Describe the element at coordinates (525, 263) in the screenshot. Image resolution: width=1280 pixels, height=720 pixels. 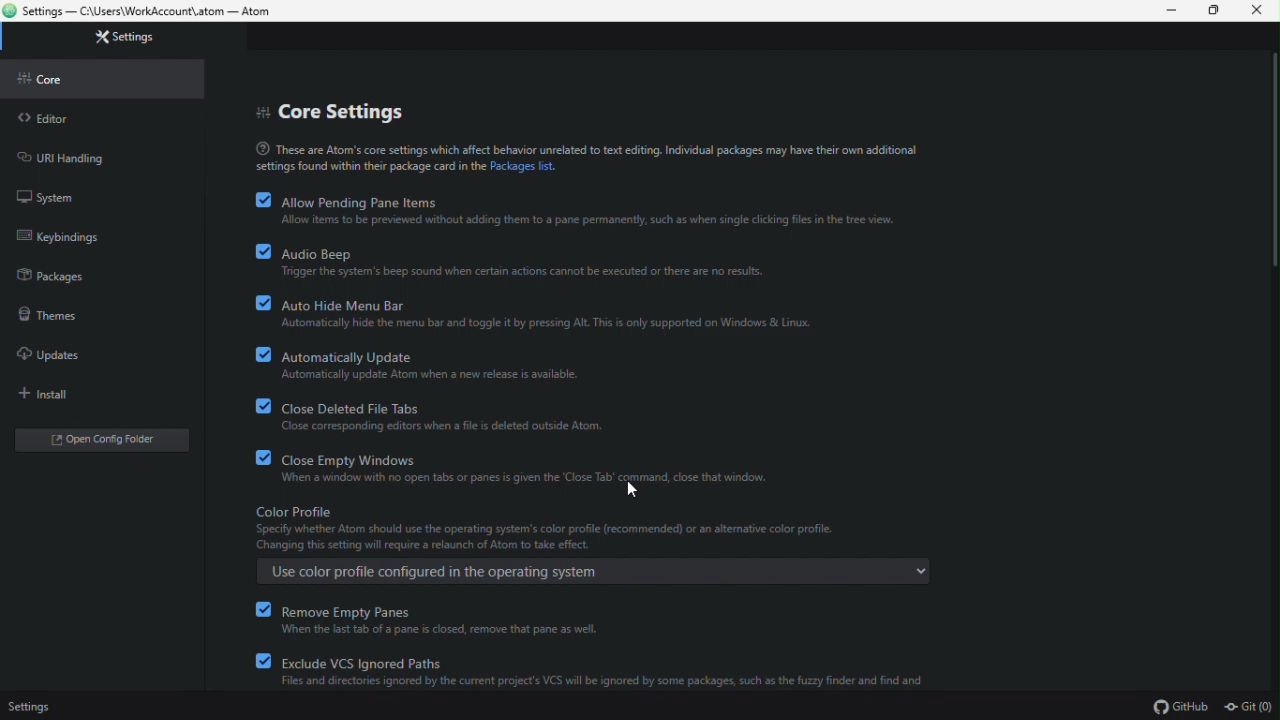
I see `audio beep` at that location.